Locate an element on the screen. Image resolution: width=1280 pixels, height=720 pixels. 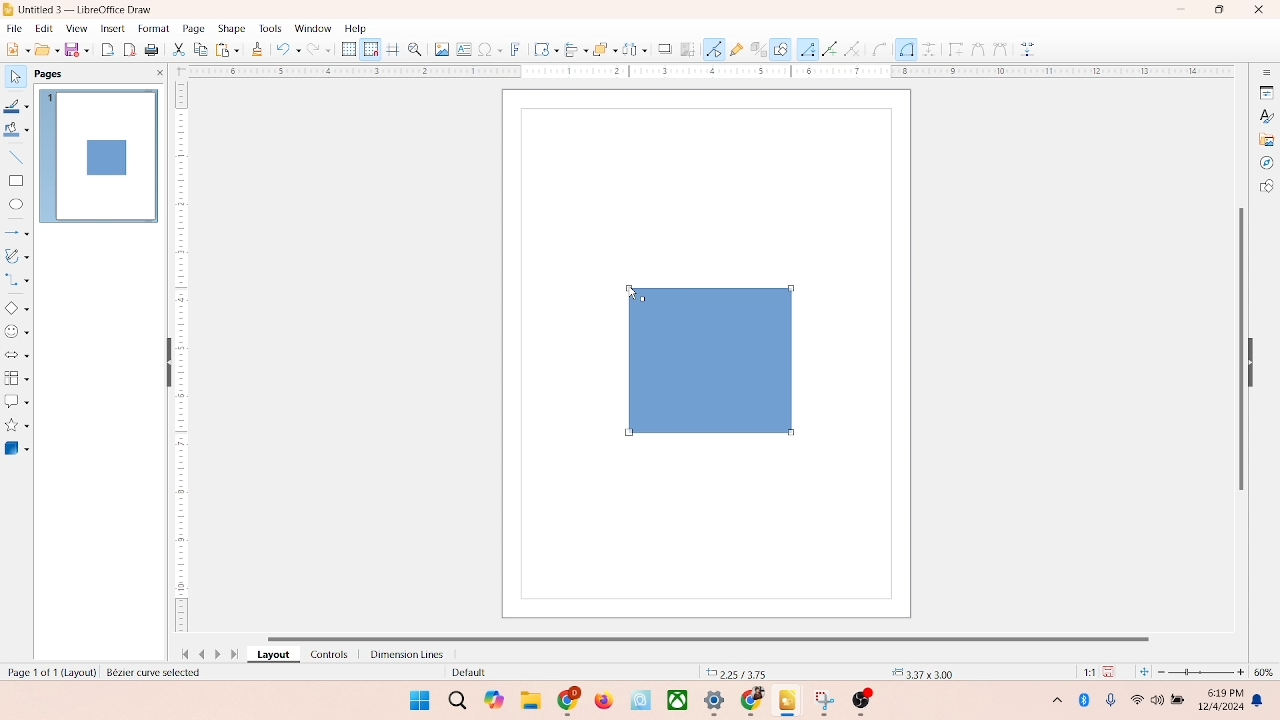
line color is located at coordinates (17, 106).